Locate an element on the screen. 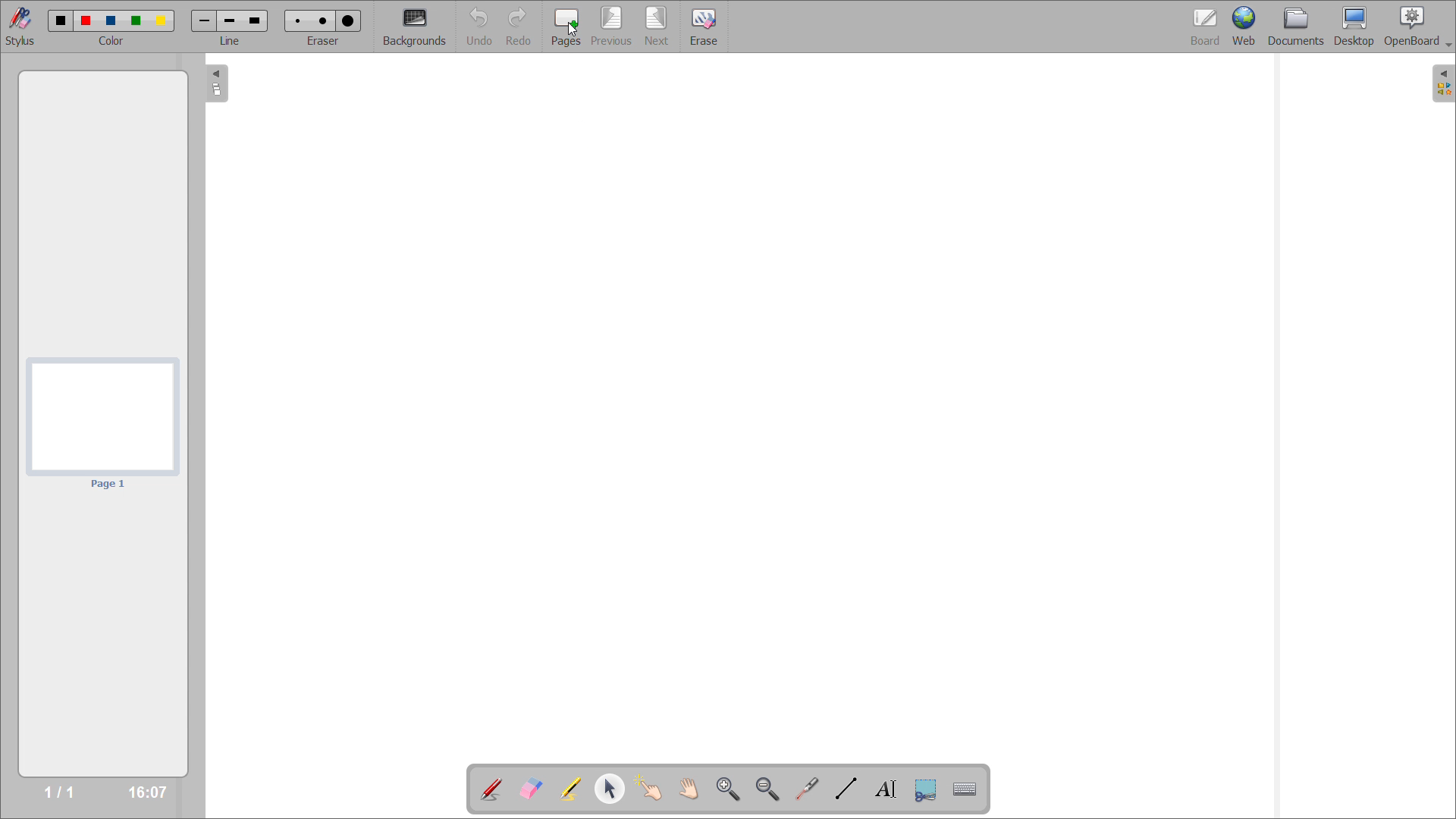  backgrounds is located at coordinates (414, 27).